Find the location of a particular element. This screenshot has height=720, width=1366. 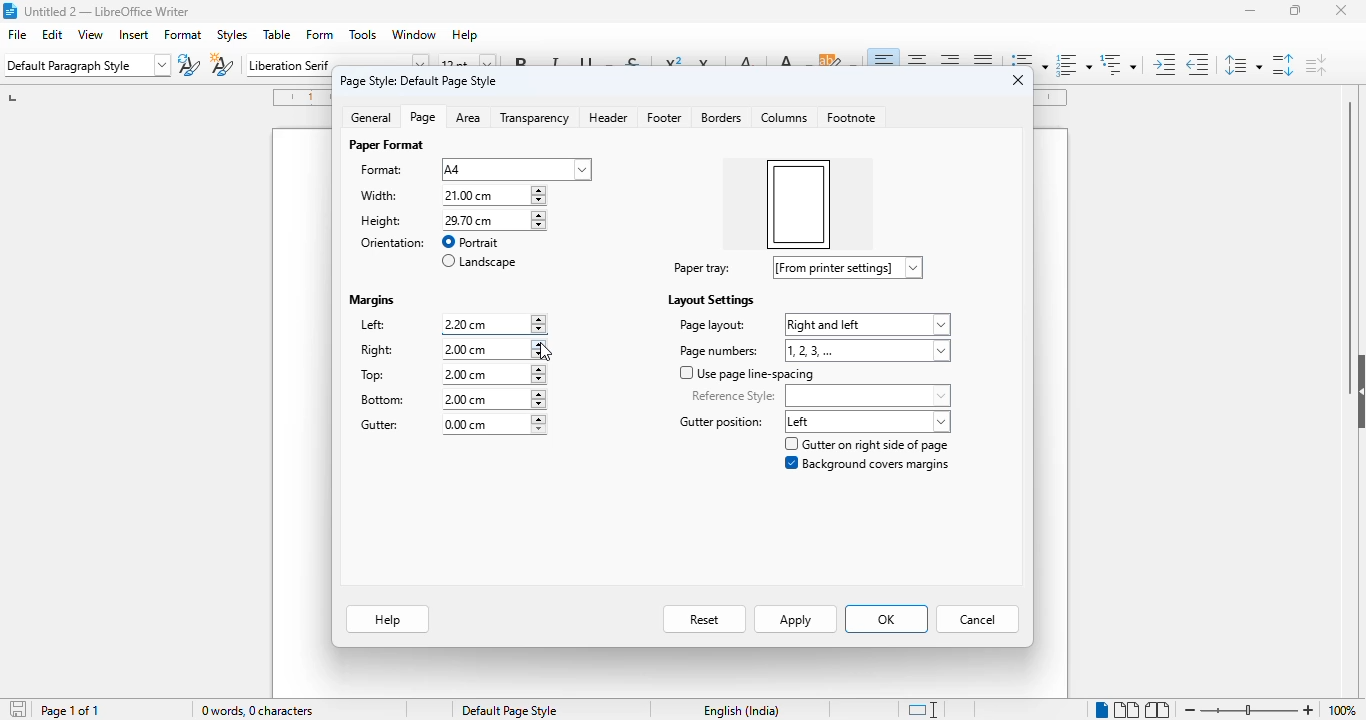

show is located at coordinates (1357, 392).